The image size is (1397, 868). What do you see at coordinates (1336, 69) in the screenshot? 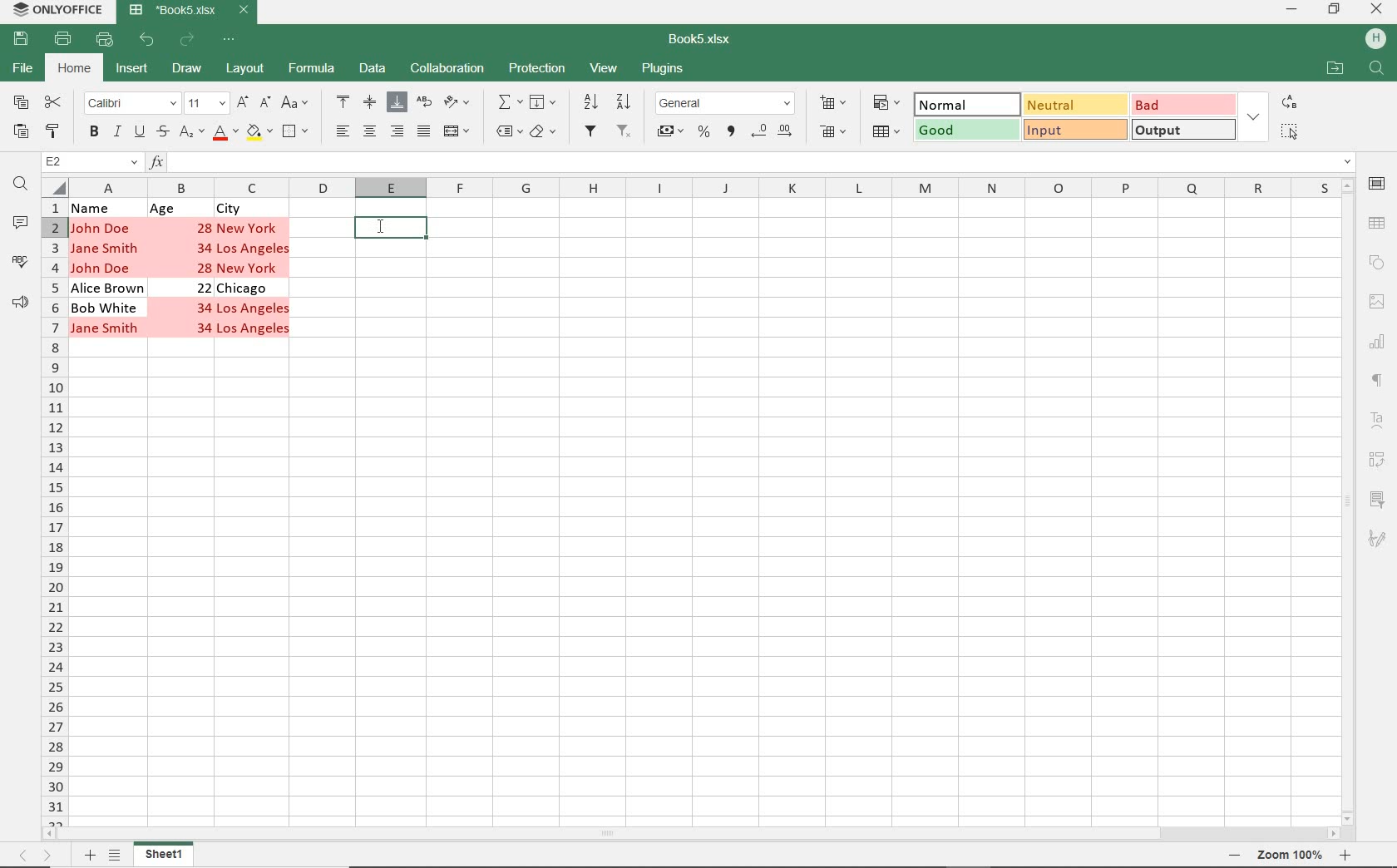
I see `OPEN FILE LOCATION` at bounding box center [1336, 69].